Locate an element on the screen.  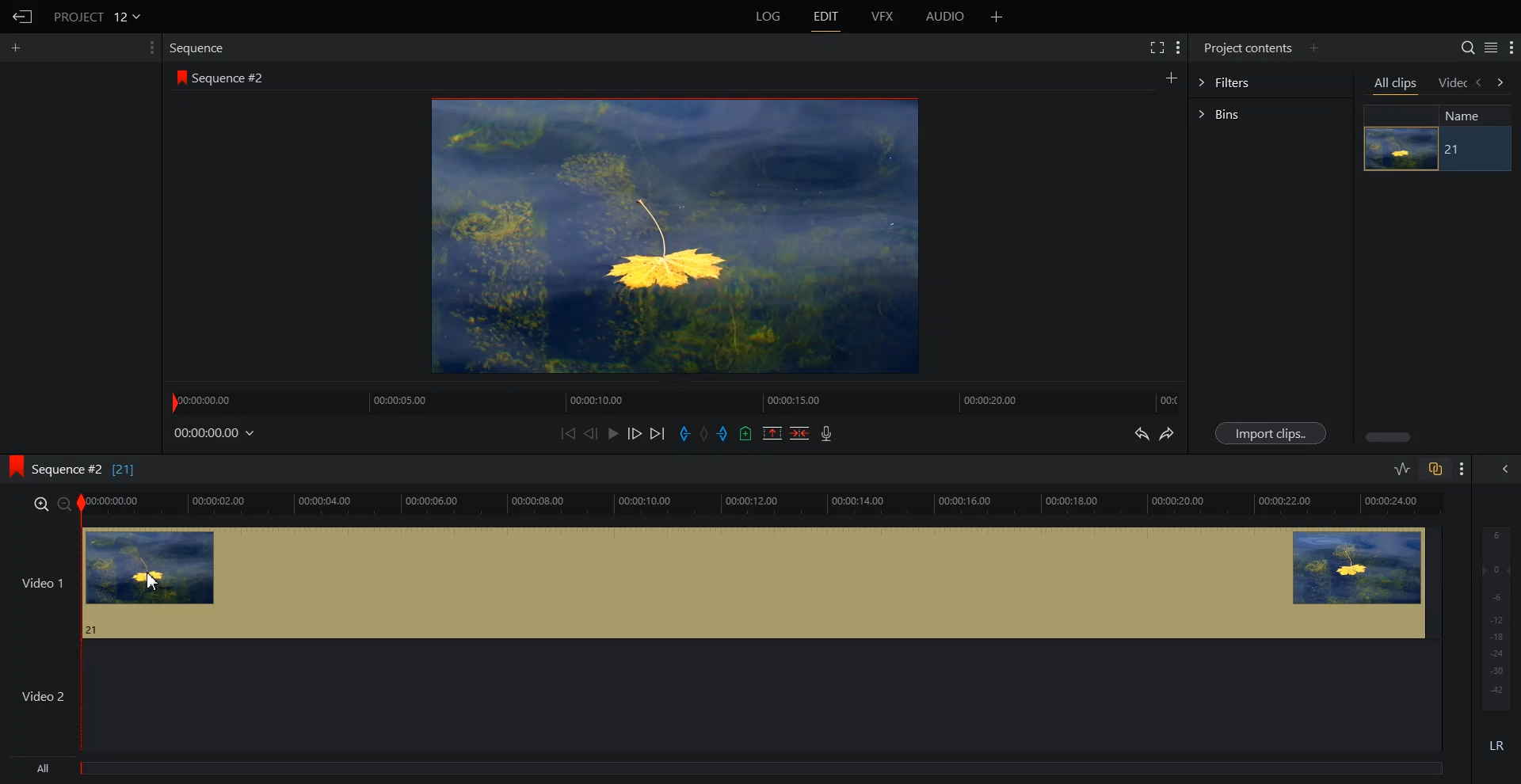
File Preview is located at coordinates (665, 236).